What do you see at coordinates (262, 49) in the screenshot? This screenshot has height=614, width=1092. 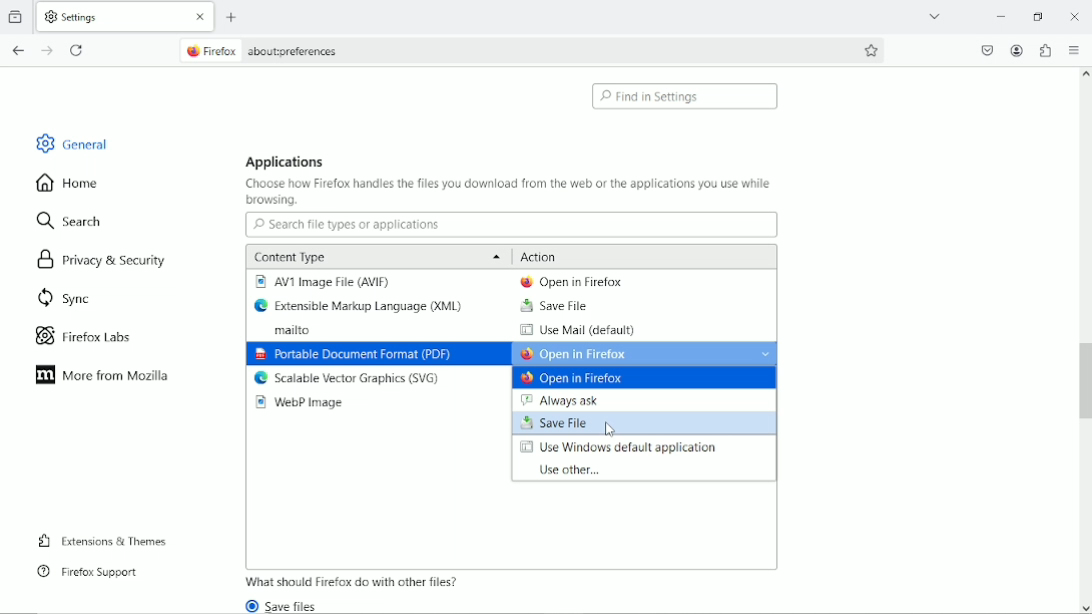 I see `about.preferences` at bounding box center [262, 49].